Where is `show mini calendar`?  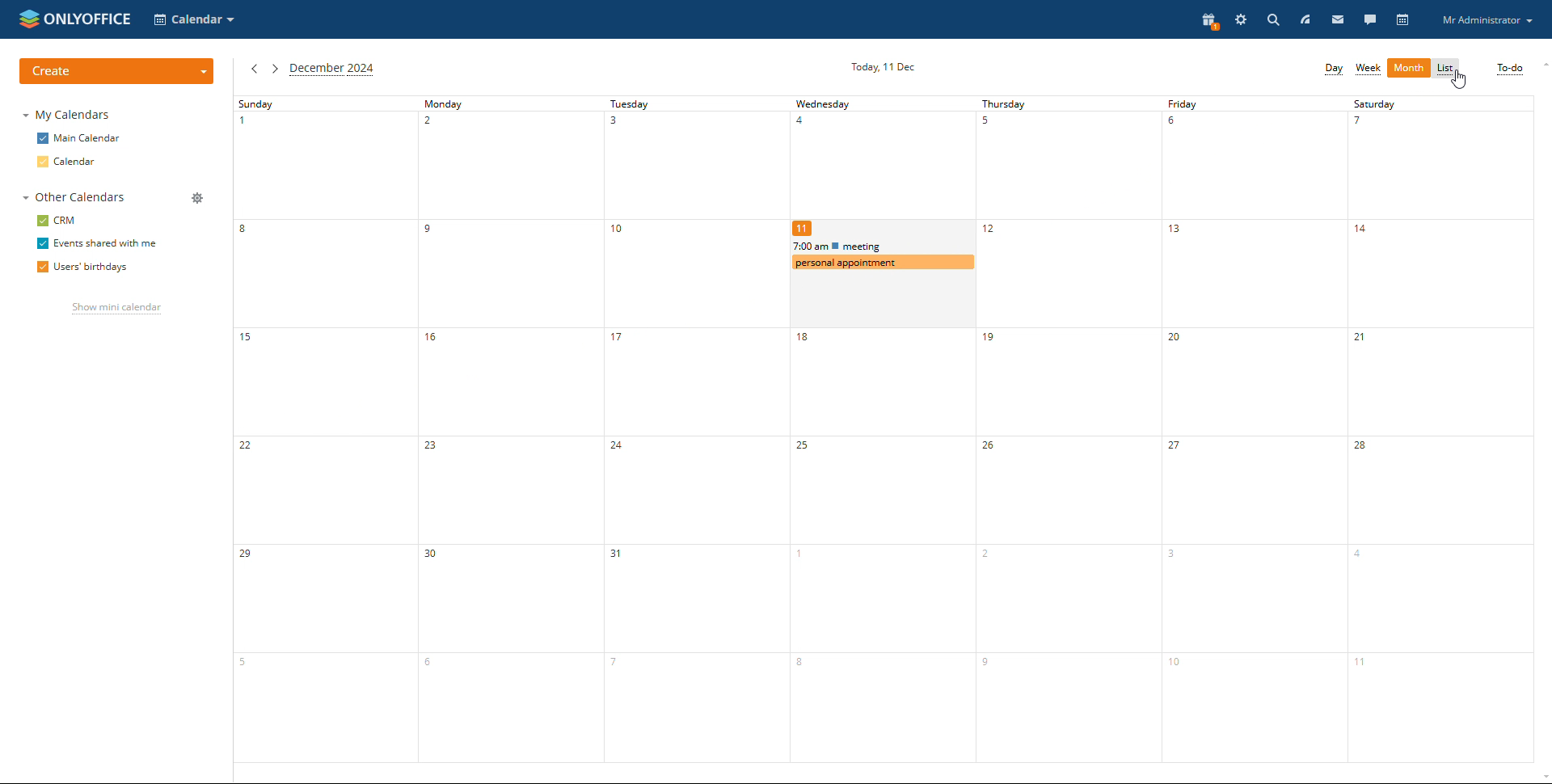
show mini calendar is located at coordinates (116, 309).